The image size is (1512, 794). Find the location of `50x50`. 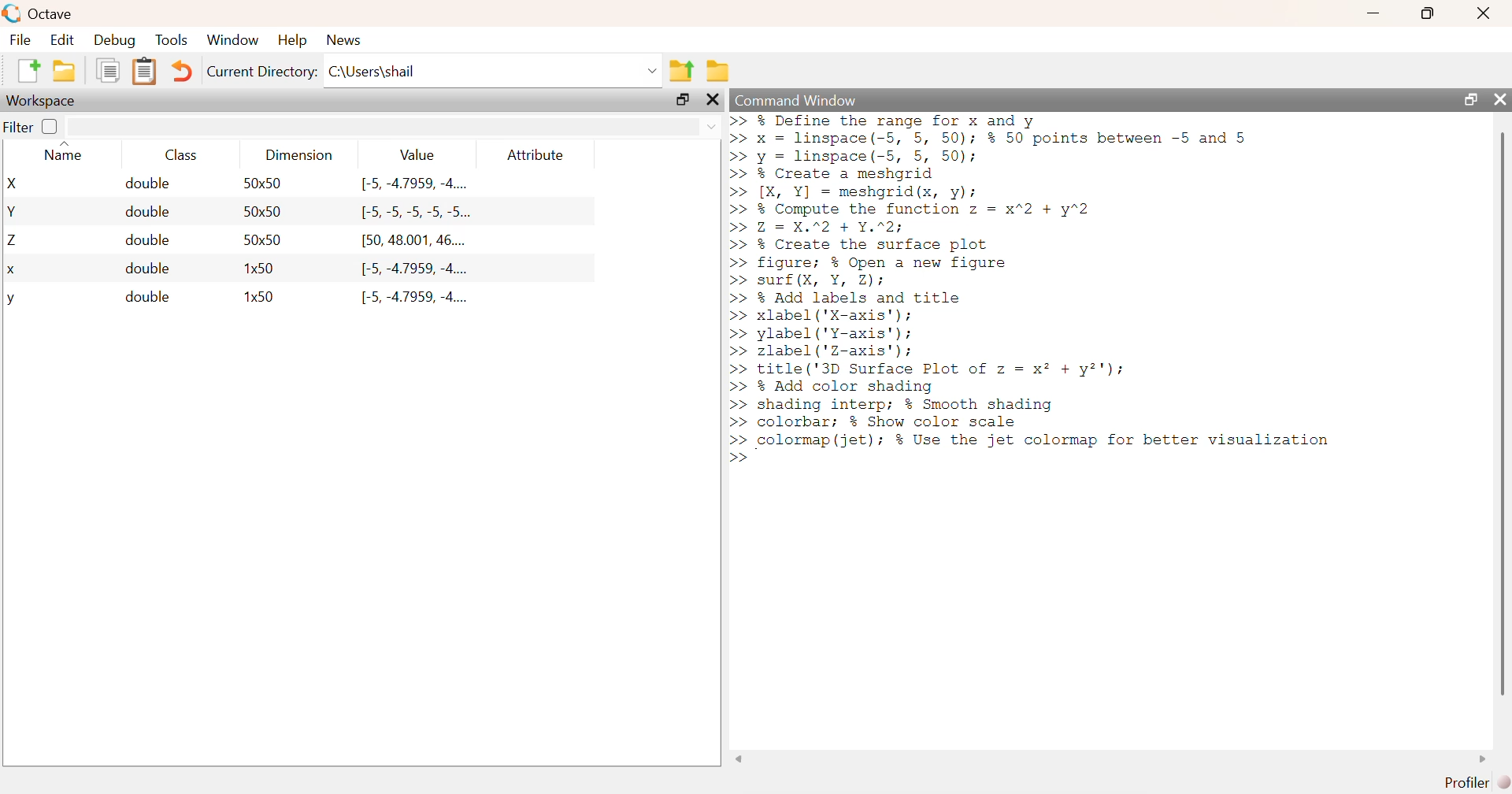

50x50 is located at coordinates (263, 210).